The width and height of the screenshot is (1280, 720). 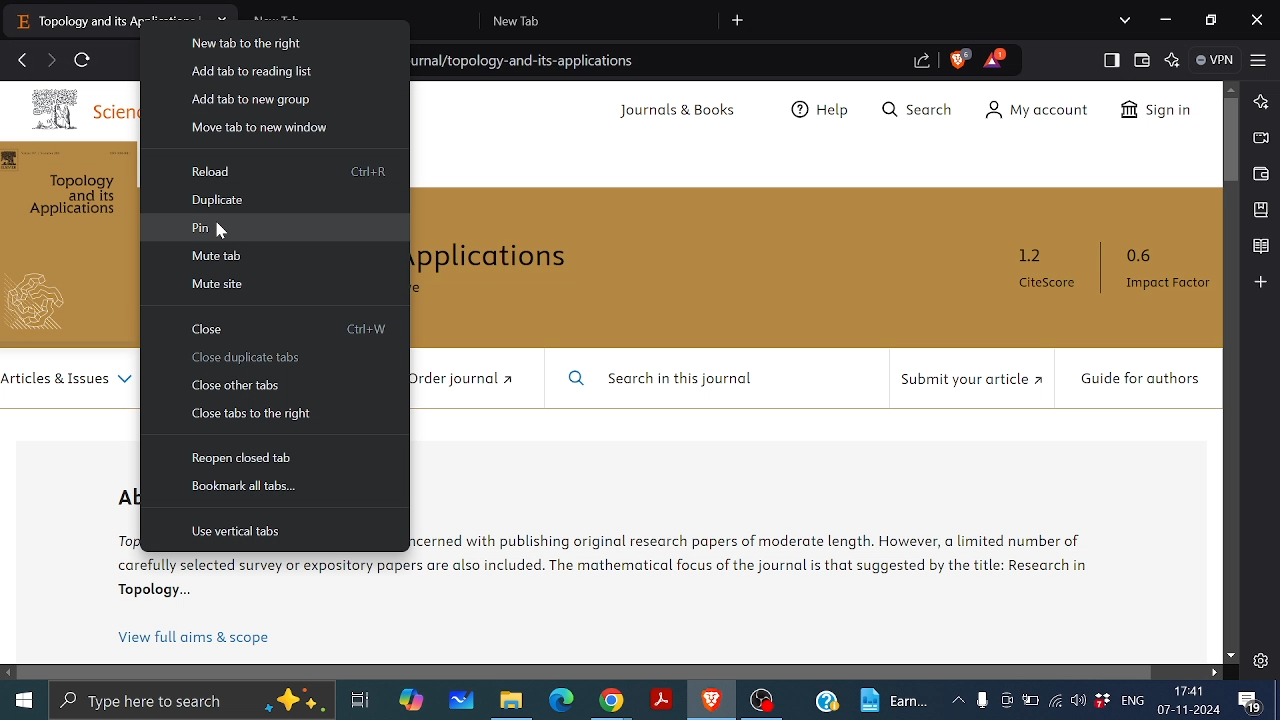 What do you see at coordinates (1231, 655) in the screenshot?
I see `Move down` at bounding box center [1231, 655].